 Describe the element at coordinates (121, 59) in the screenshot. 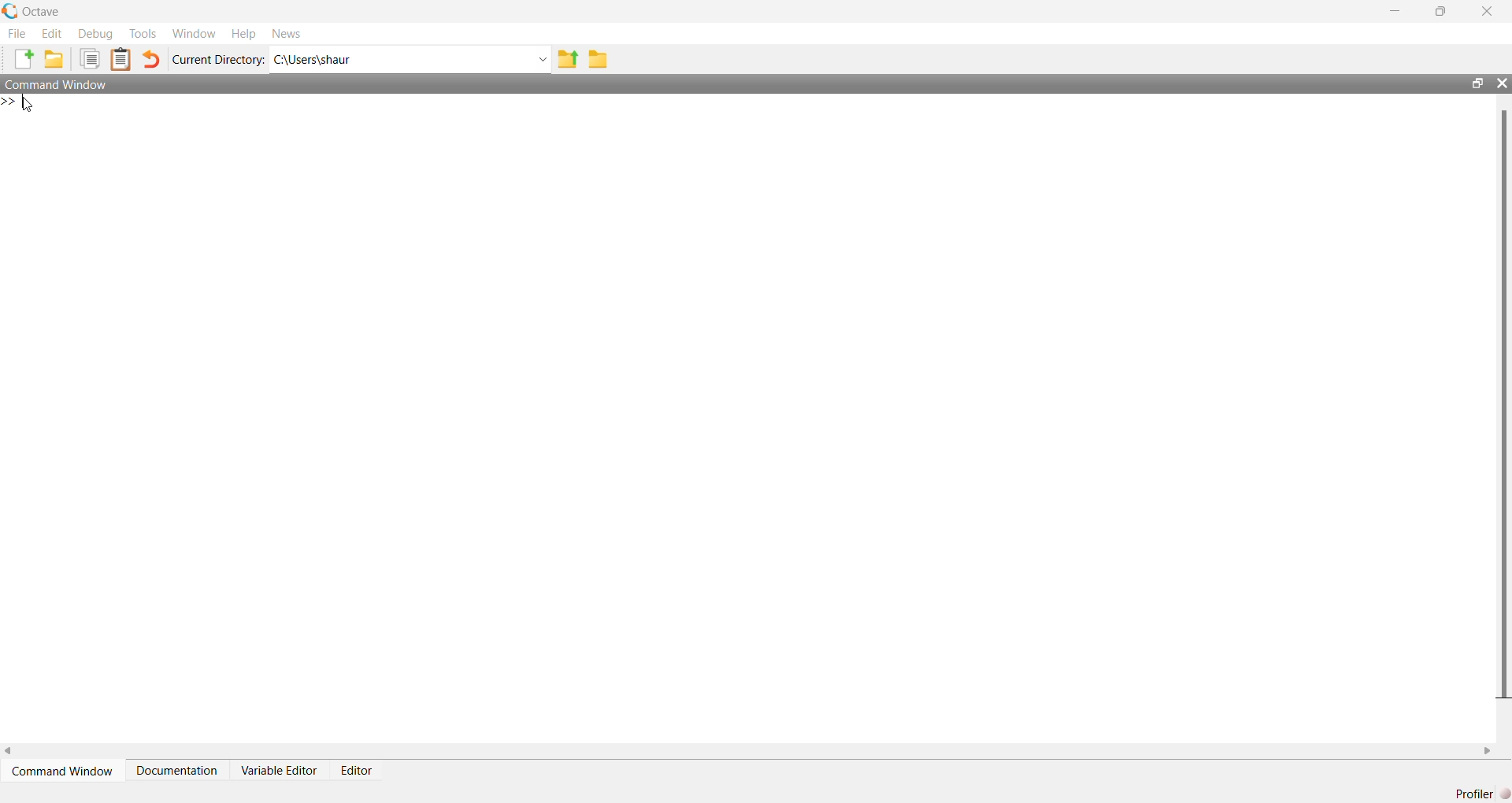

I see `clip board` at that location.